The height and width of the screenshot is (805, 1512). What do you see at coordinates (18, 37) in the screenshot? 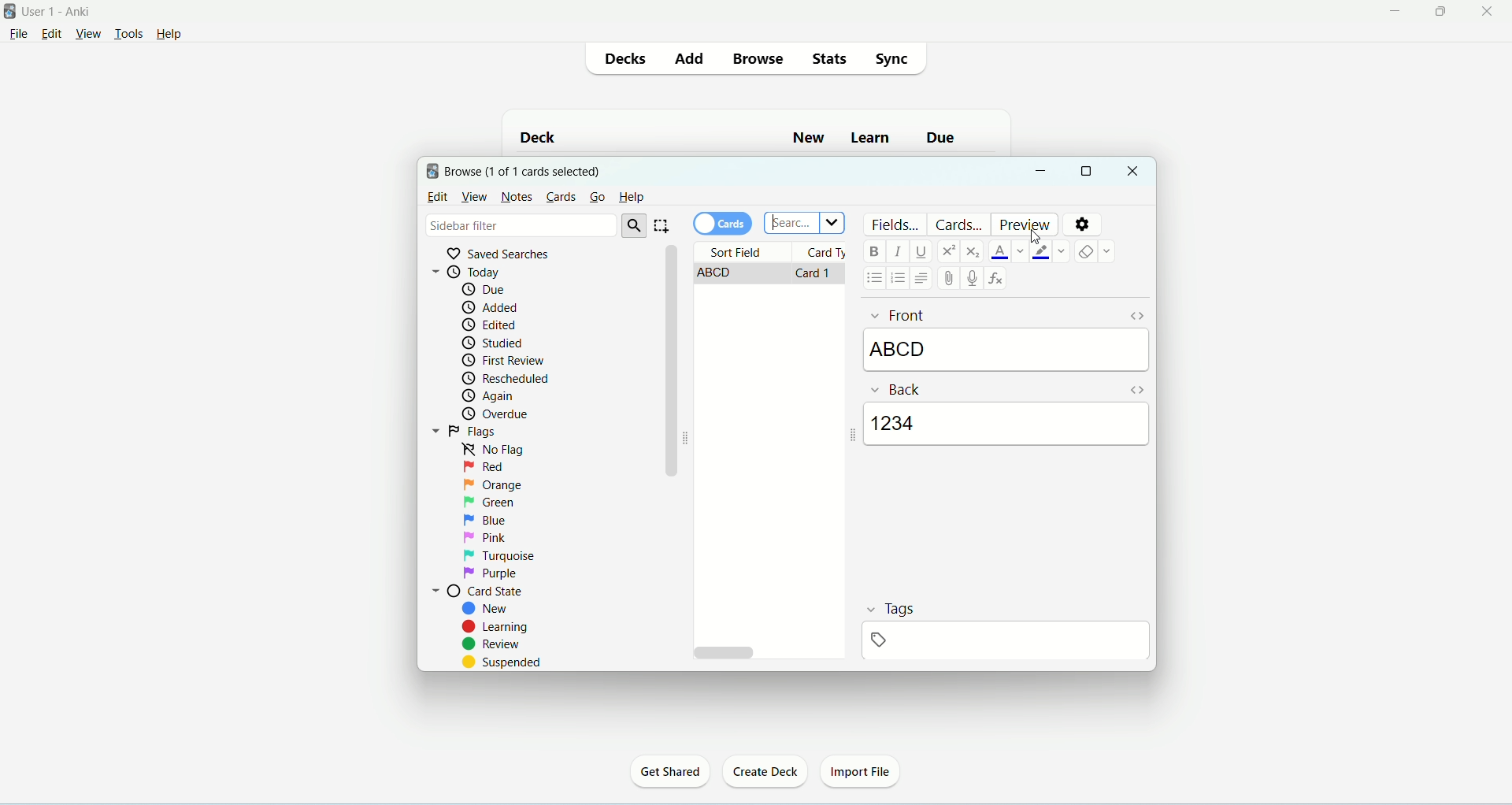
I see `file` at bounding box center [18, 37].